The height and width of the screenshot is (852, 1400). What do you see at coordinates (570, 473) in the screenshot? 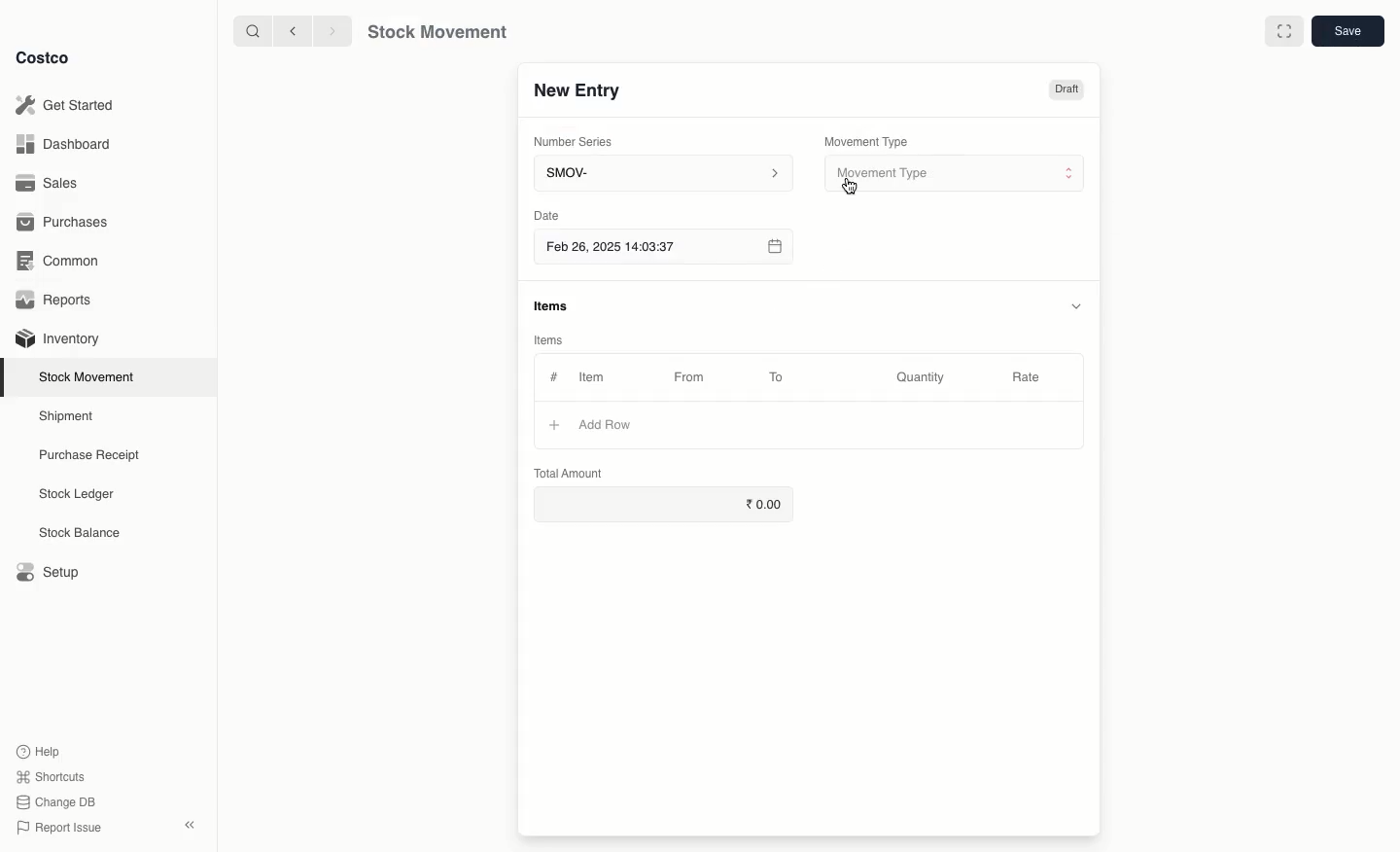
I see `Total Amount` at bounding box center [570, 473].